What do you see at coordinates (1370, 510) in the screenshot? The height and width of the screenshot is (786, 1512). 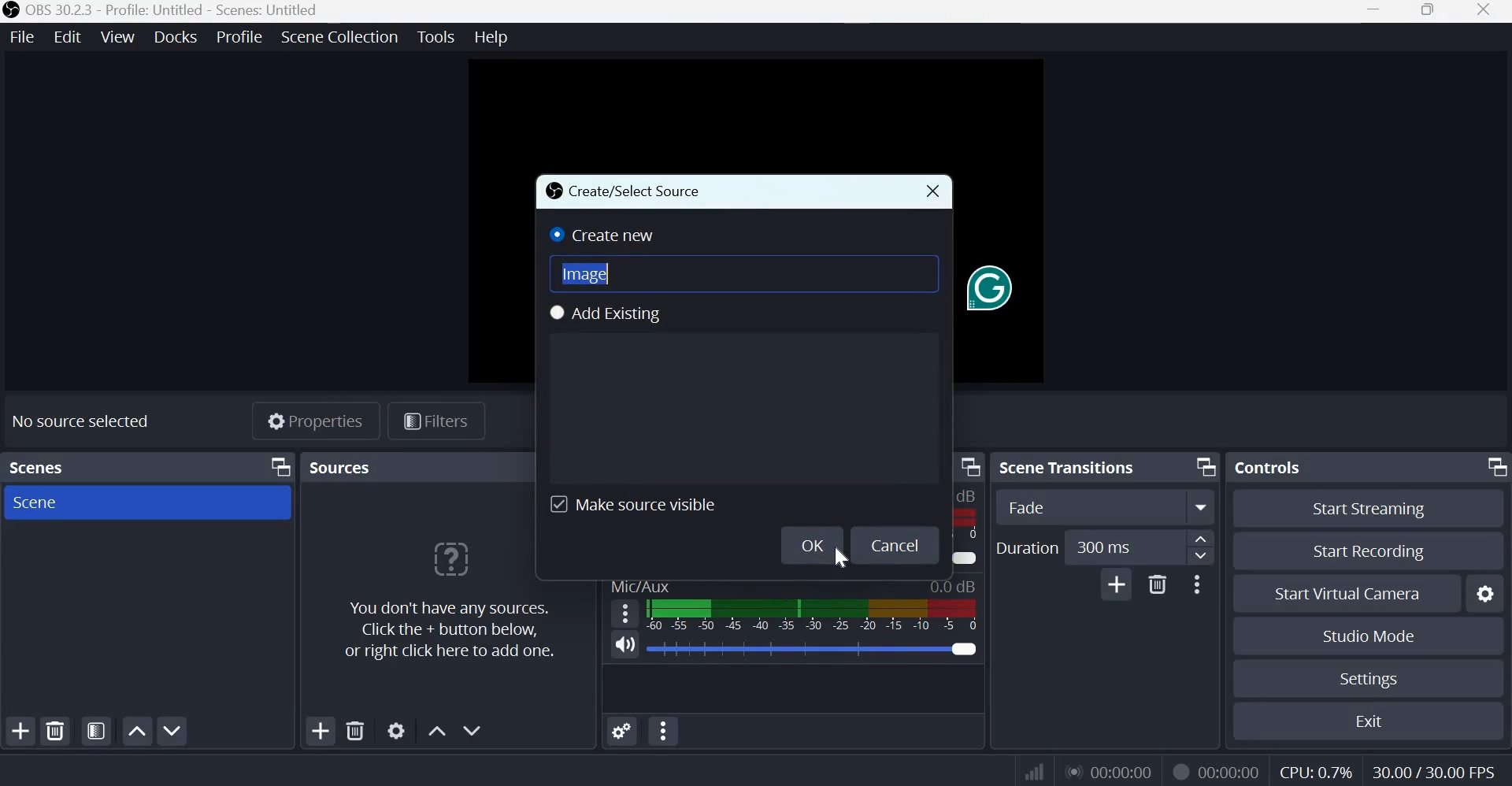 I see `Start streaming` at bounding box center [1370, 510].